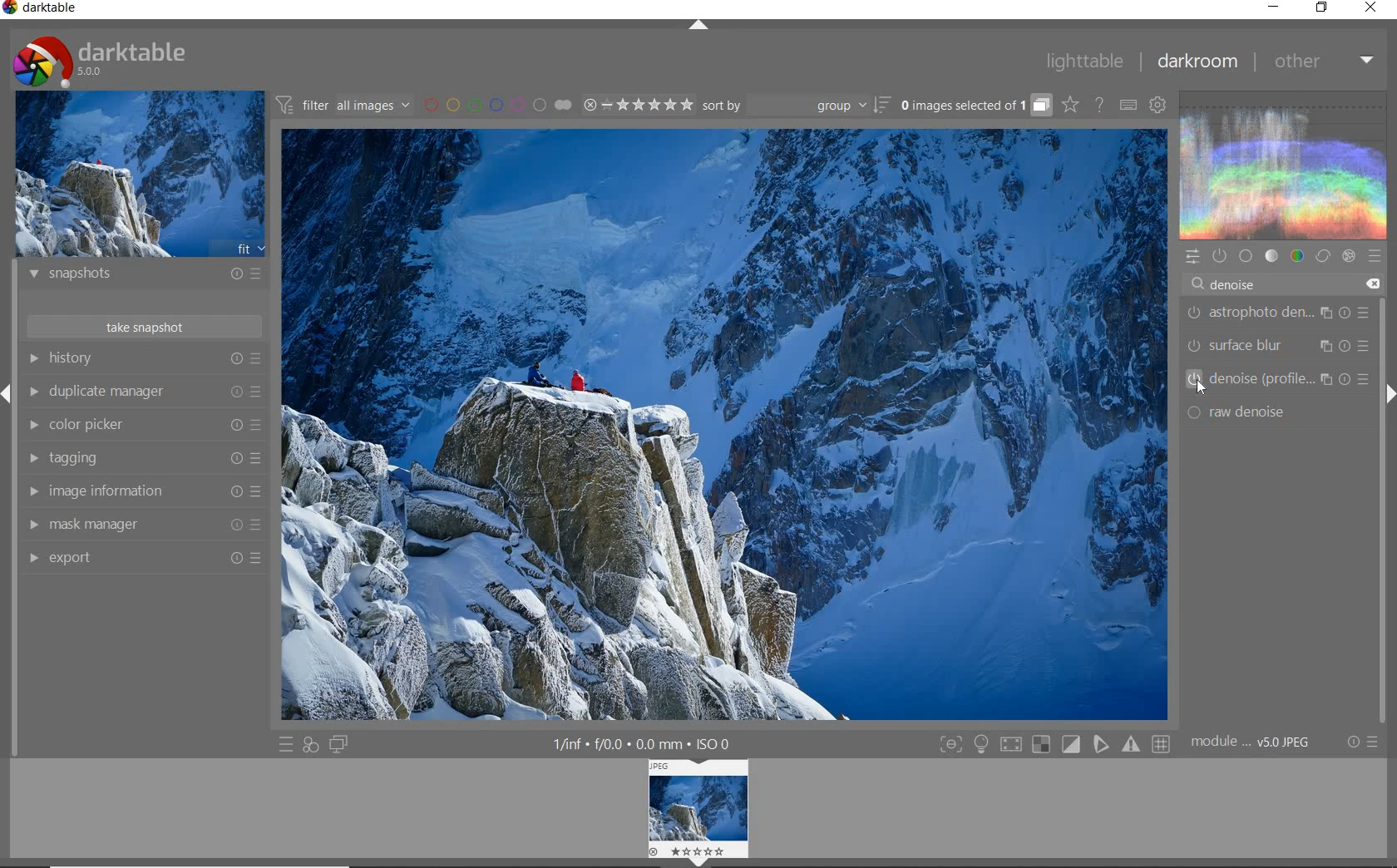 The width and height of the screenshot is (1397, 868). Describe the element at coordinates (1285, 164) in the screenshot. I see `waveform` at that location.